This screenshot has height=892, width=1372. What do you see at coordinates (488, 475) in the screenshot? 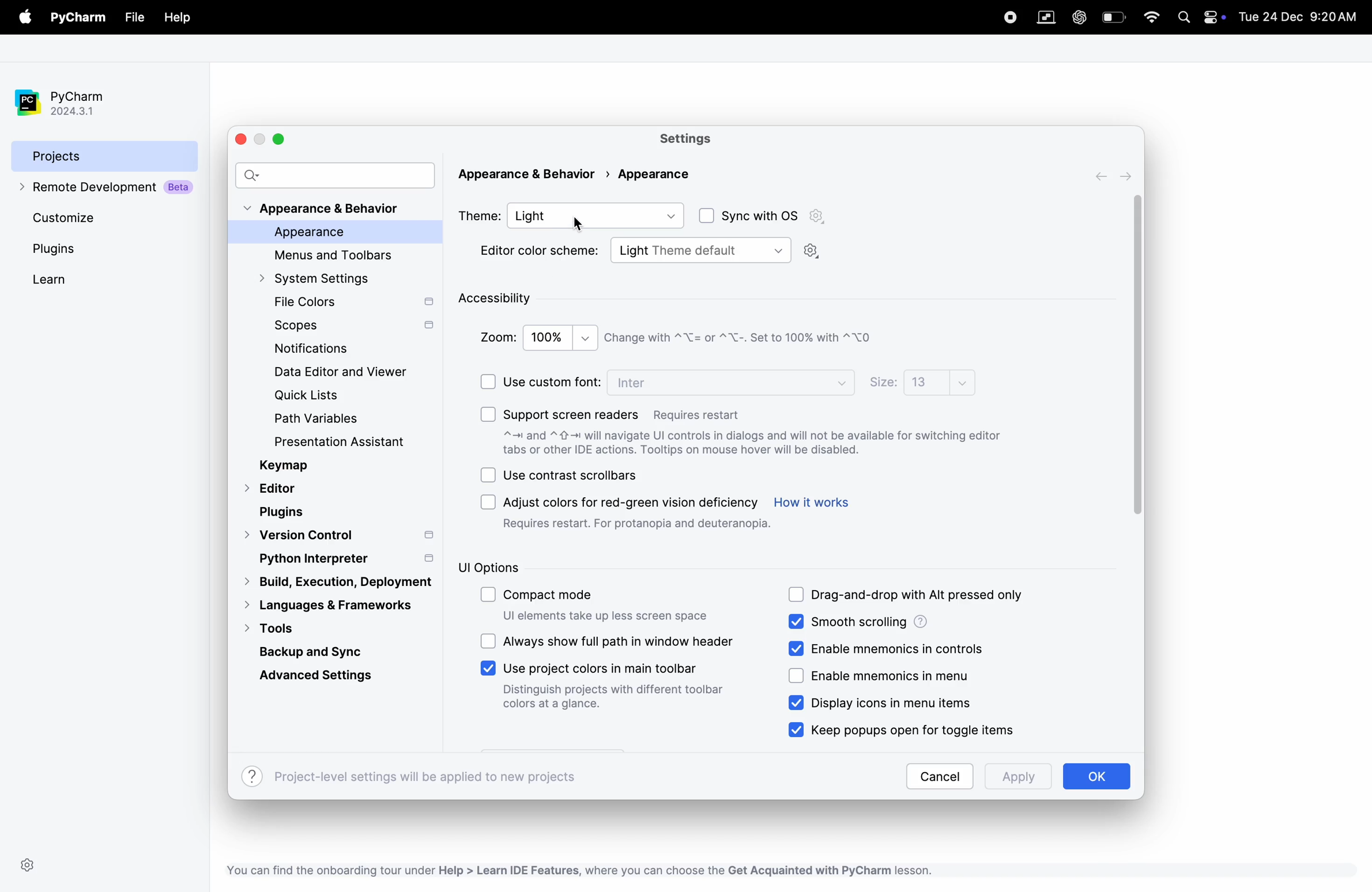
I see `checkbox` at bounding box center [488, 475].